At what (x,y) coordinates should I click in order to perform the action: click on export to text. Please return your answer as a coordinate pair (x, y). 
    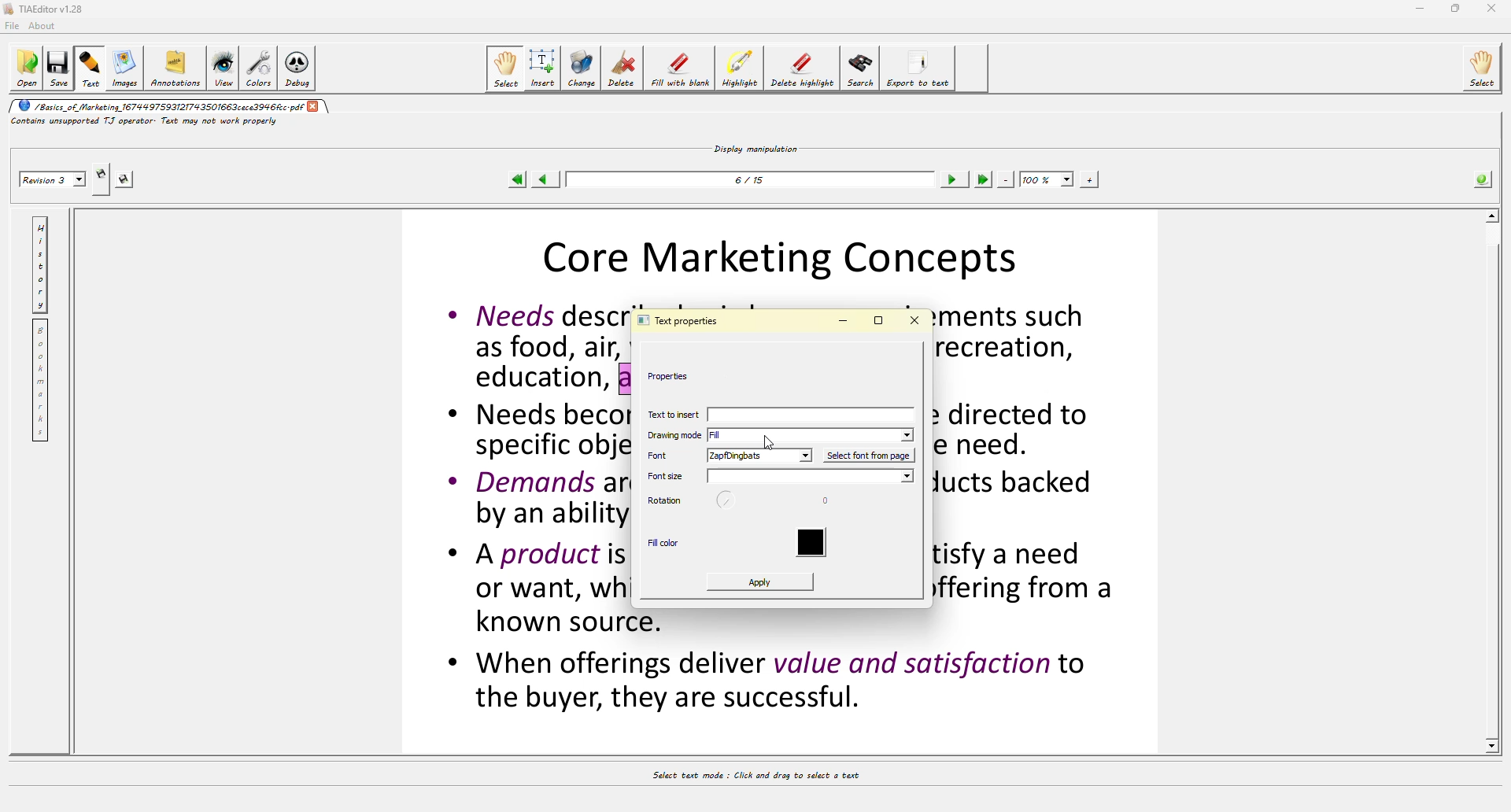
    Looking at the image, I should click on (914, 66).